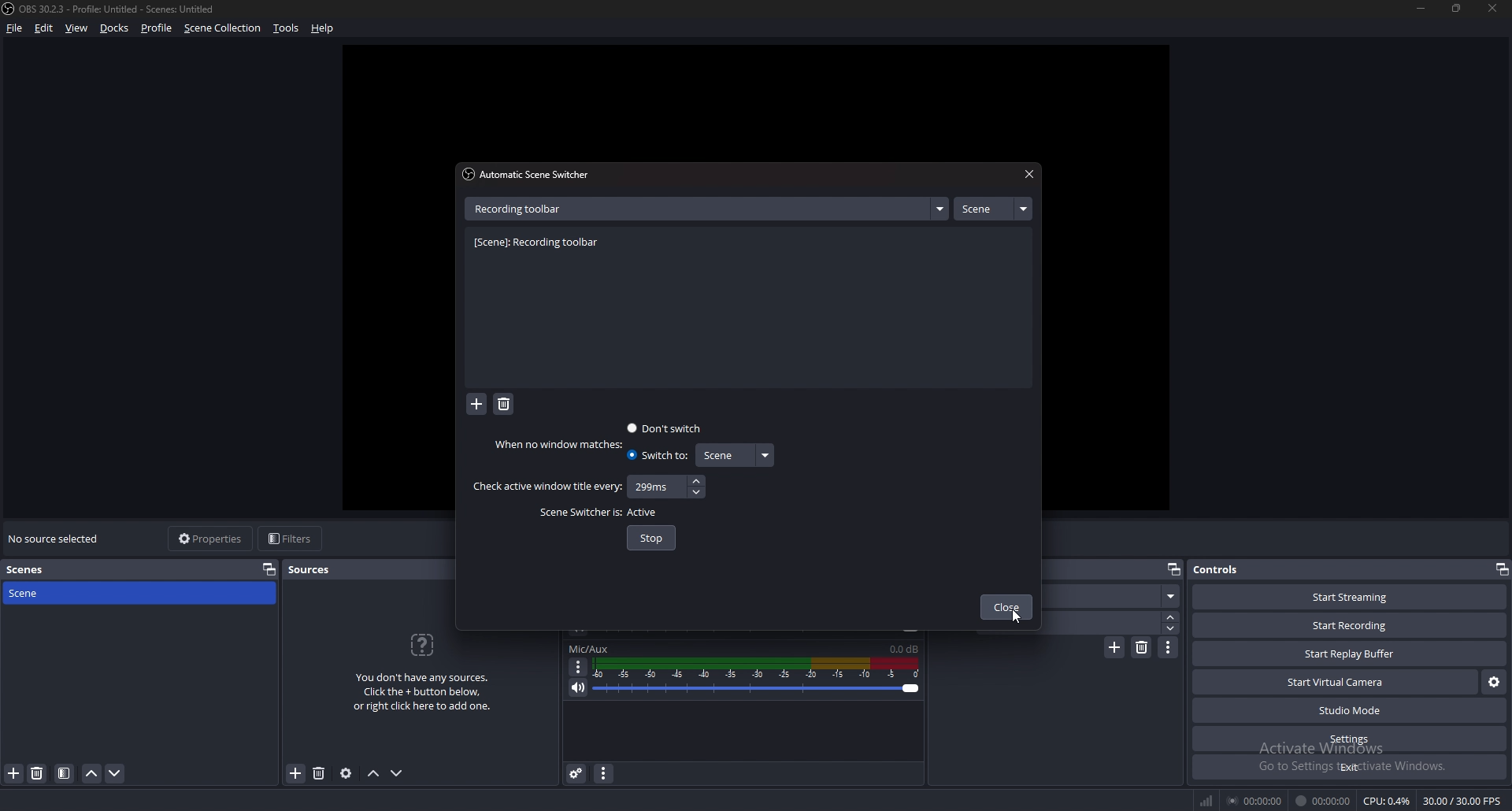 The image size is (1512, 811). What do you see at coordinates (269, 568) in the screenshot?
I see `pop out` at bounding box center [269, 568].